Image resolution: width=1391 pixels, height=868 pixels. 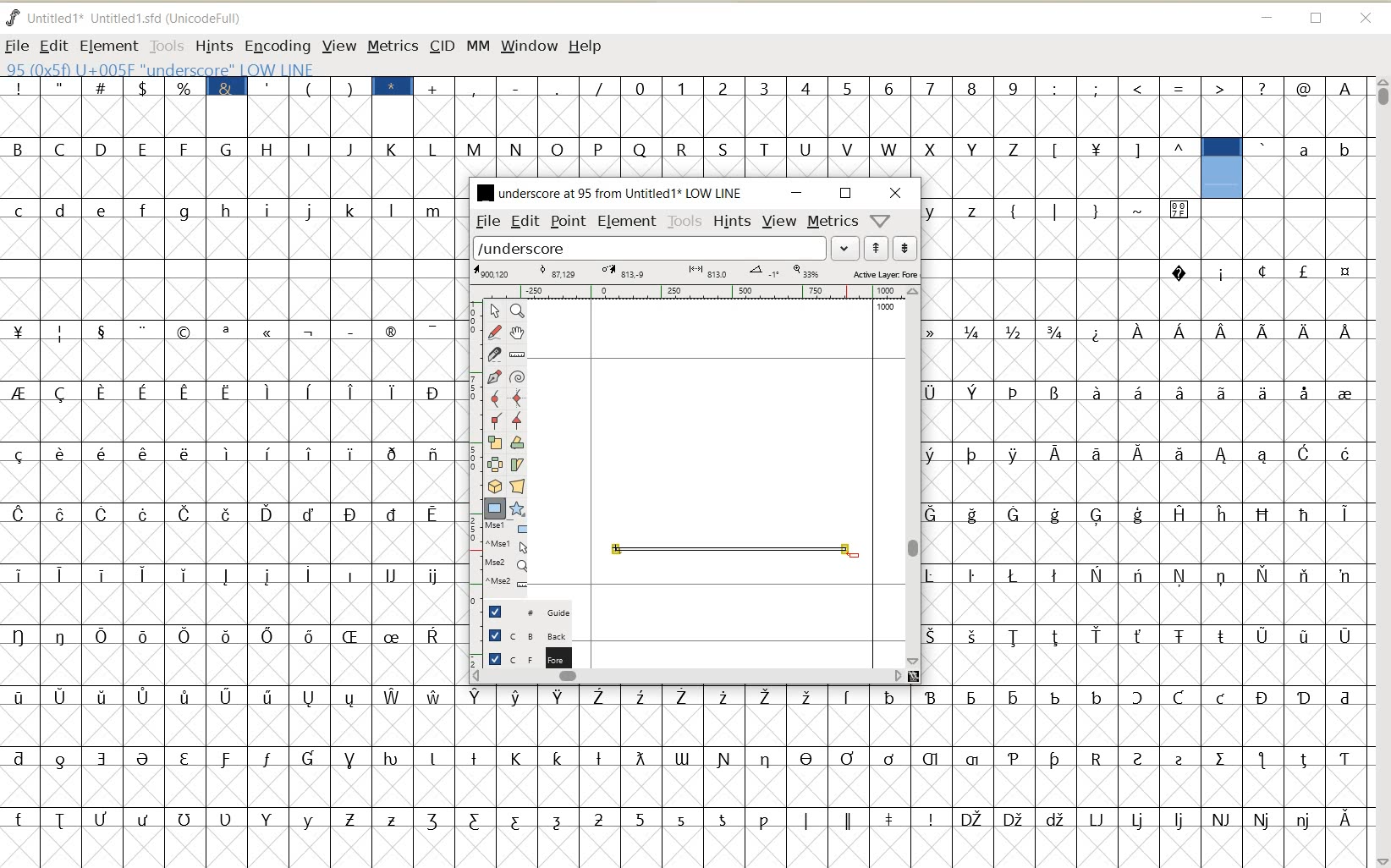 I want to click on an underscore with a unique twist creation, so click(x=726, y=552).